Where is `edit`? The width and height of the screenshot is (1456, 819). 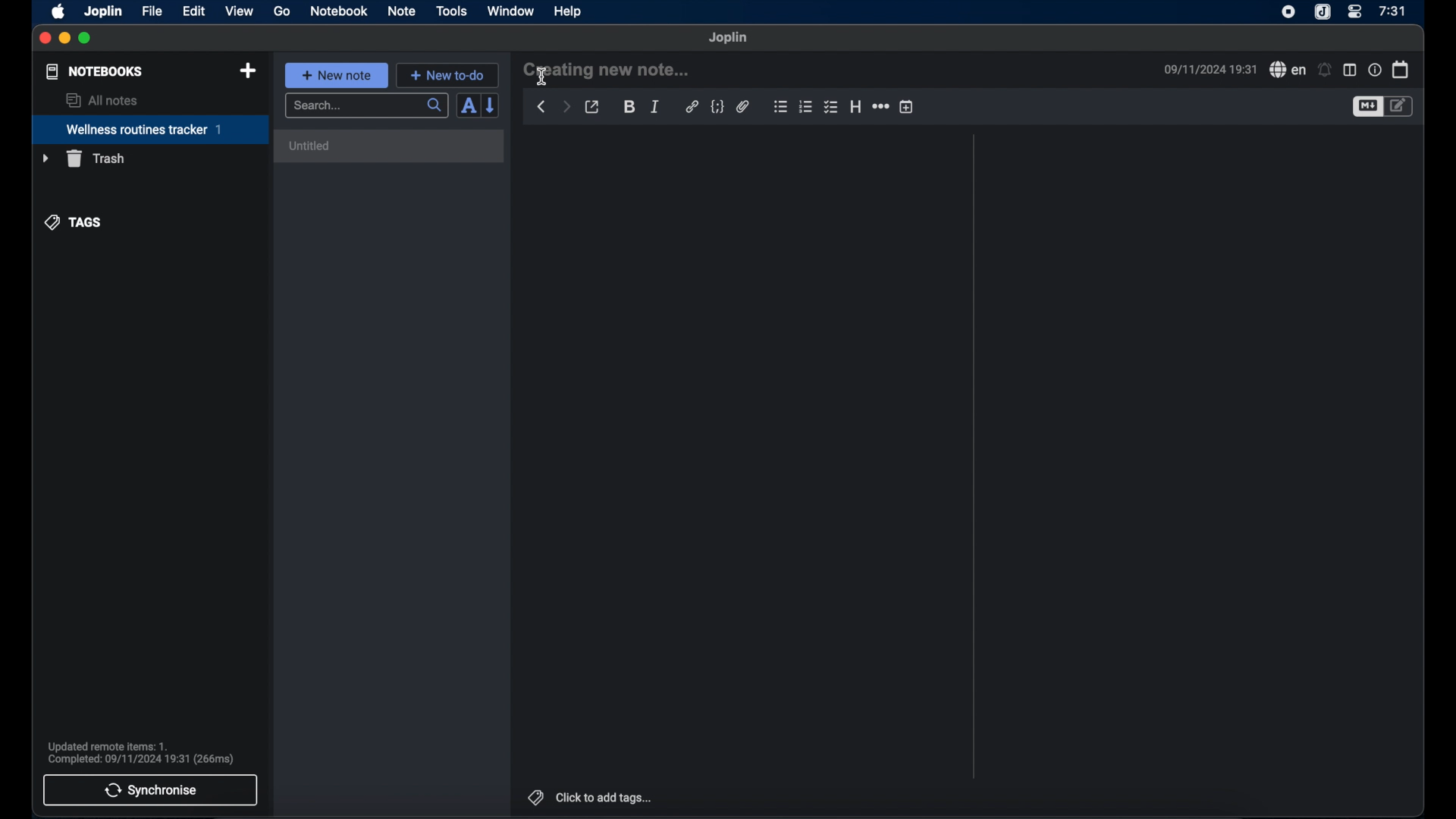 edit is located at coordinates (193, 11).